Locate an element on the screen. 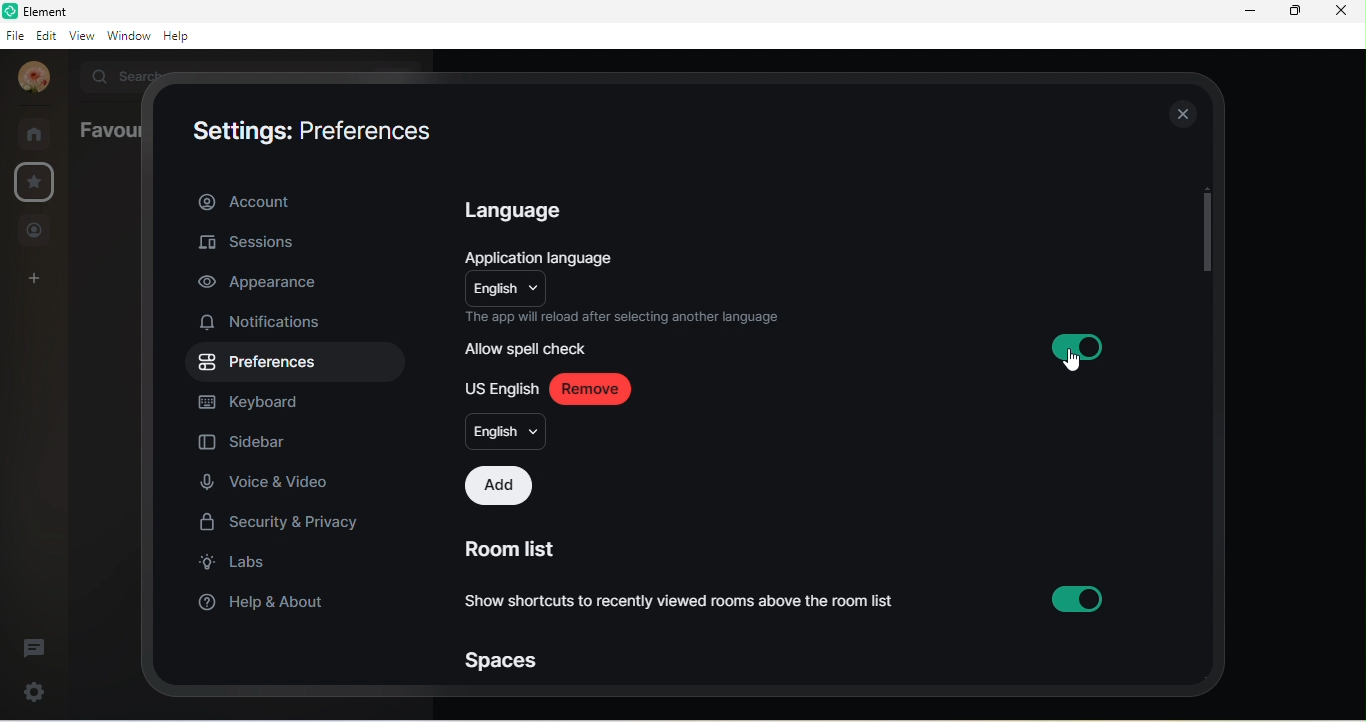 The image size is (1366, 722). maximize is located at coordinates (1295, 14).